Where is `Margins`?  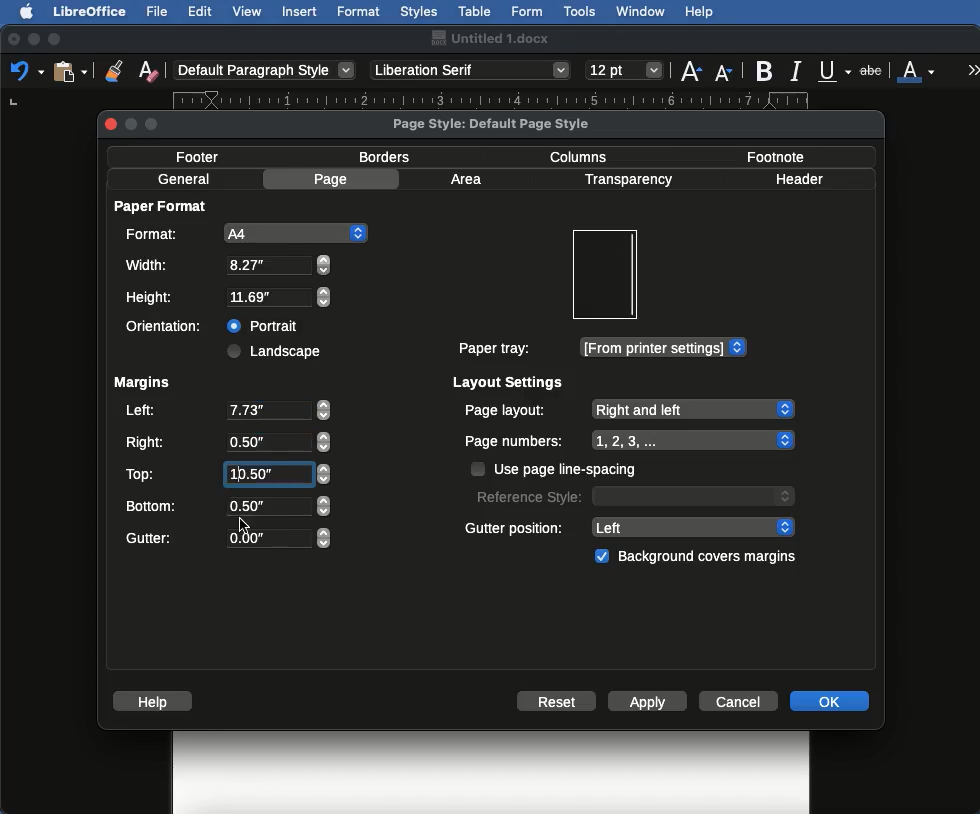 Margins is located at coordinates (141, 383).